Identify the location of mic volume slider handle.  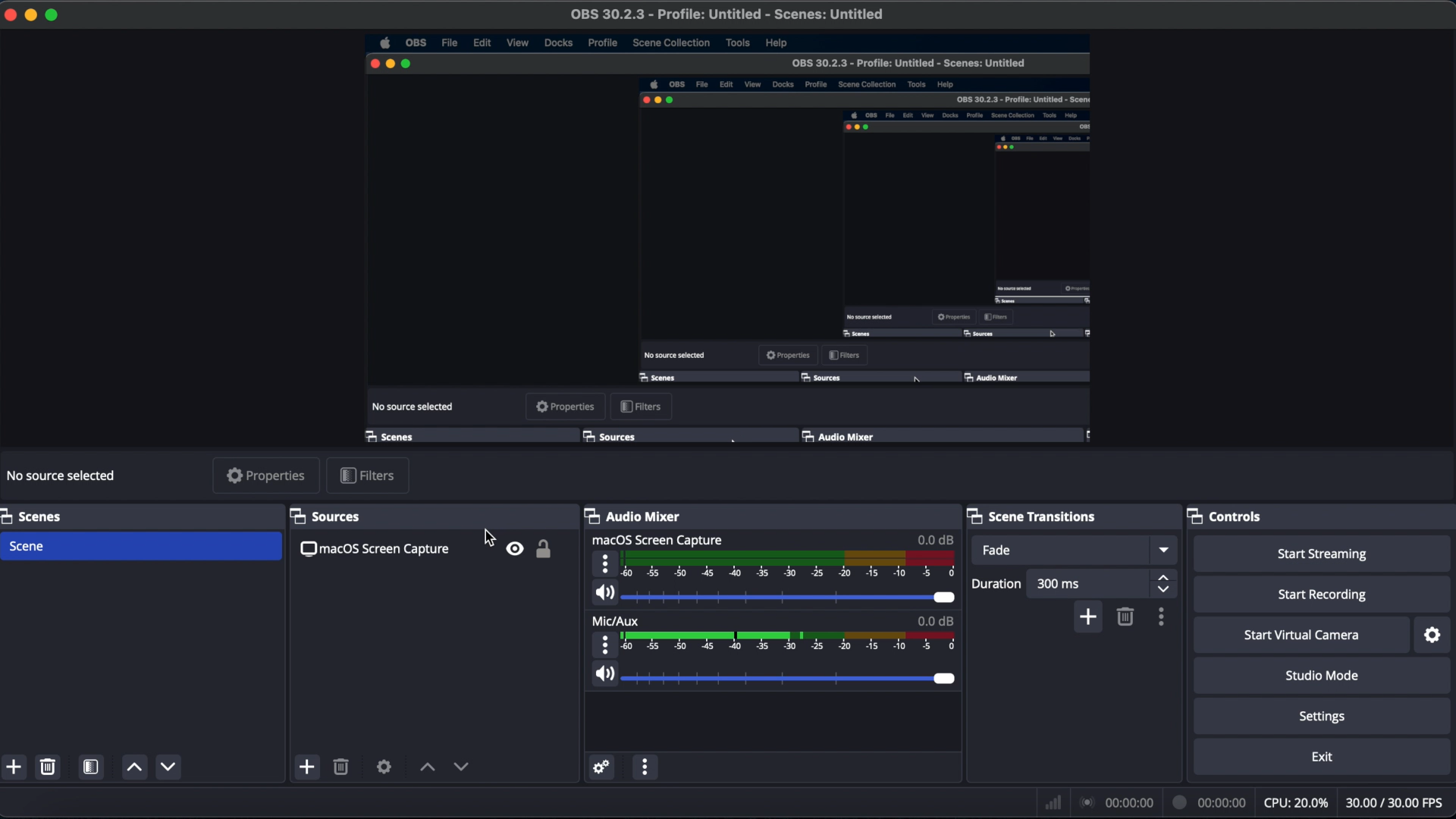
(946, 679).